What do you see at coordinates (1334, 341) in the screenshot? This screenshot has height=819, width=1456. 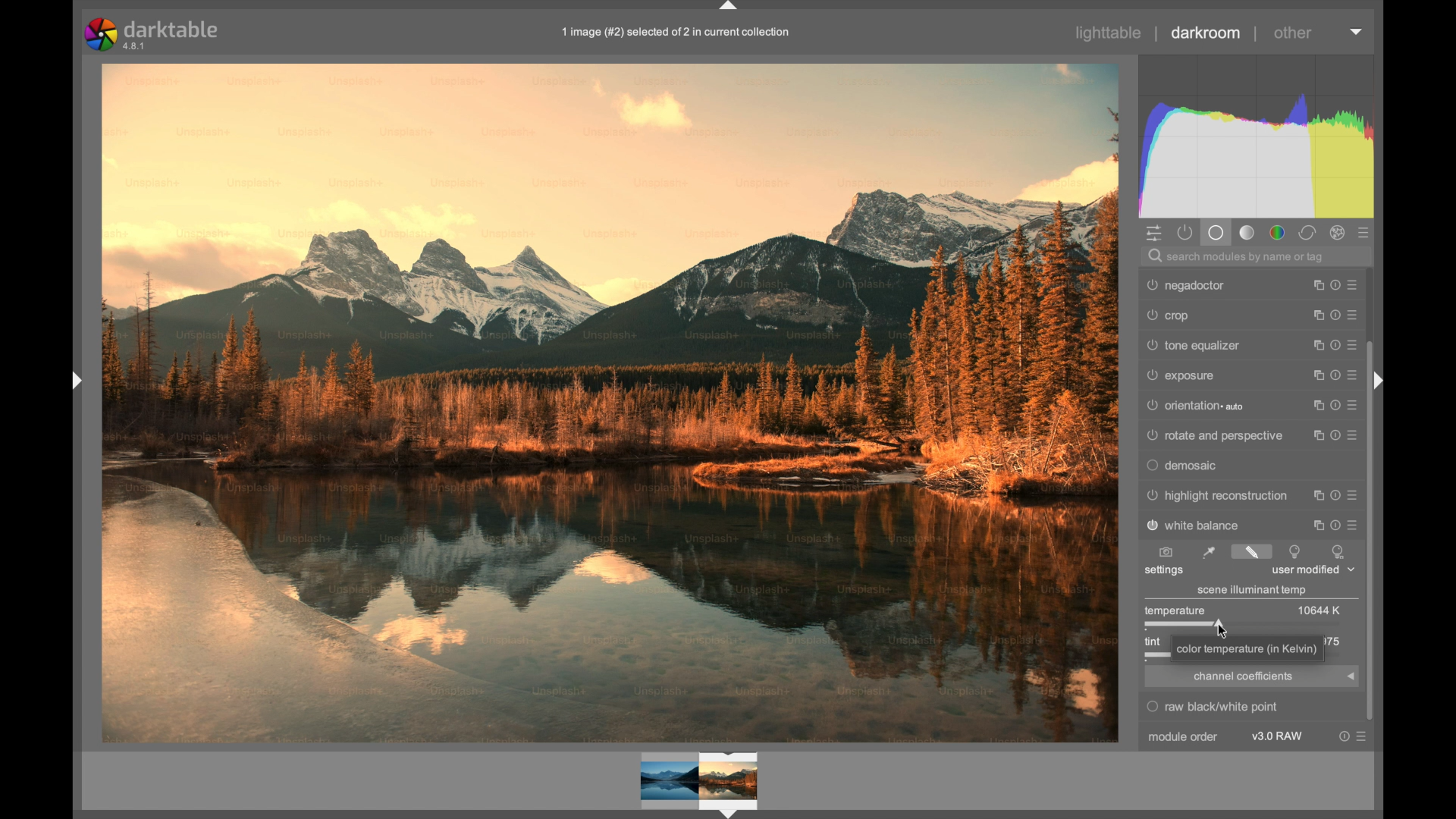 I see `reset parameters` at bounding box center [1334, 341].